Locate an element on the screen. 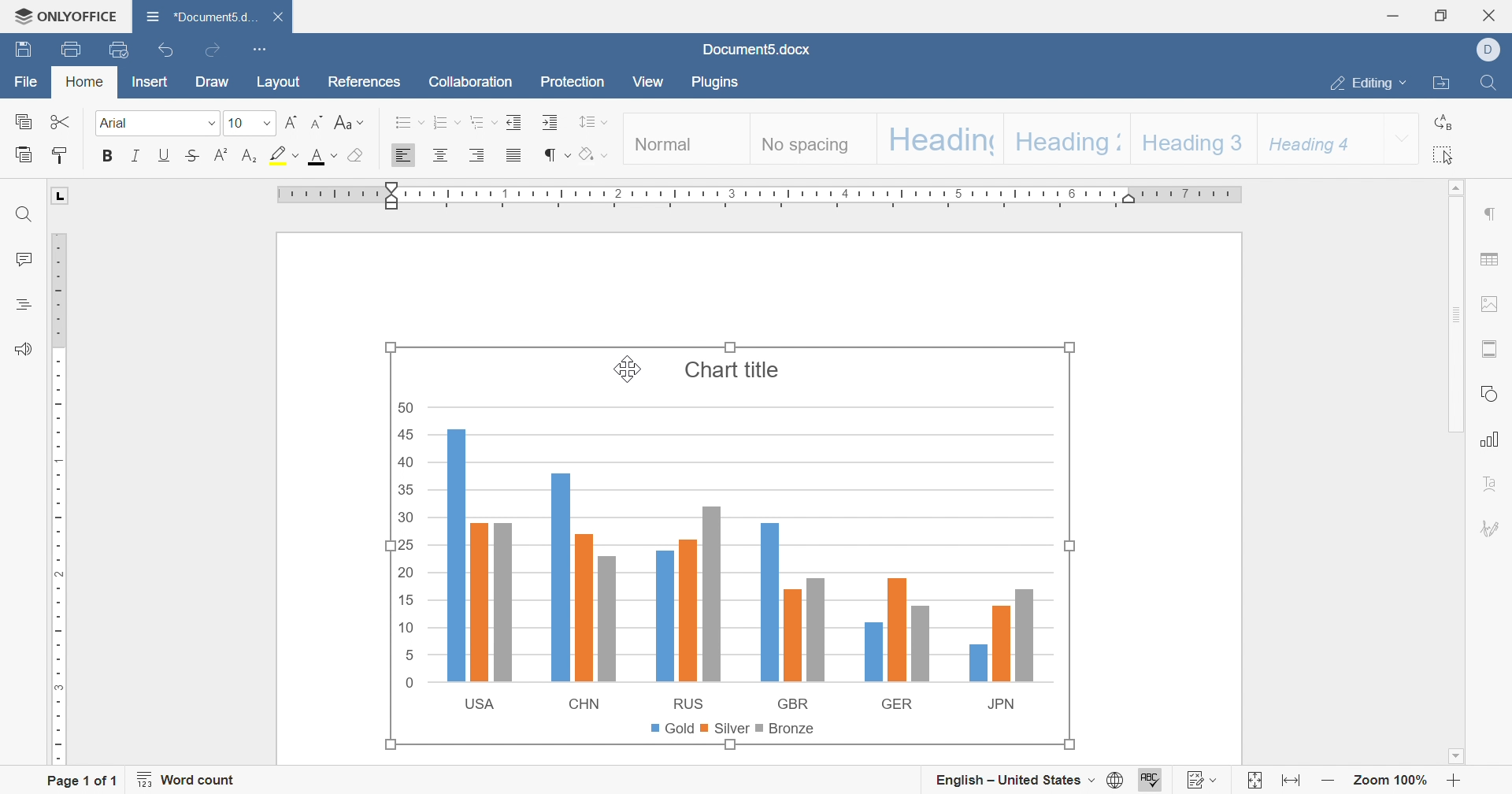  spell checking is located at coordinates (1153, 779).